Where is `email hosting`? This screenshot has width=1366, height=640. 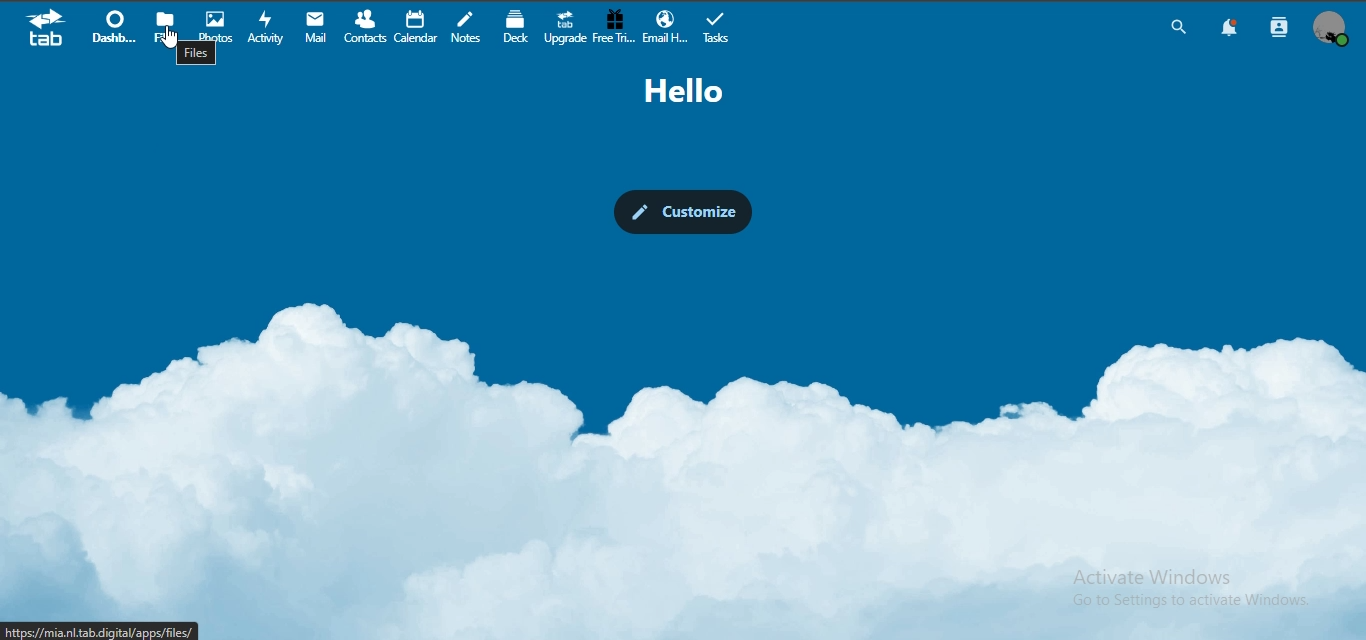 email hosting is located at coordinates (668, 25).